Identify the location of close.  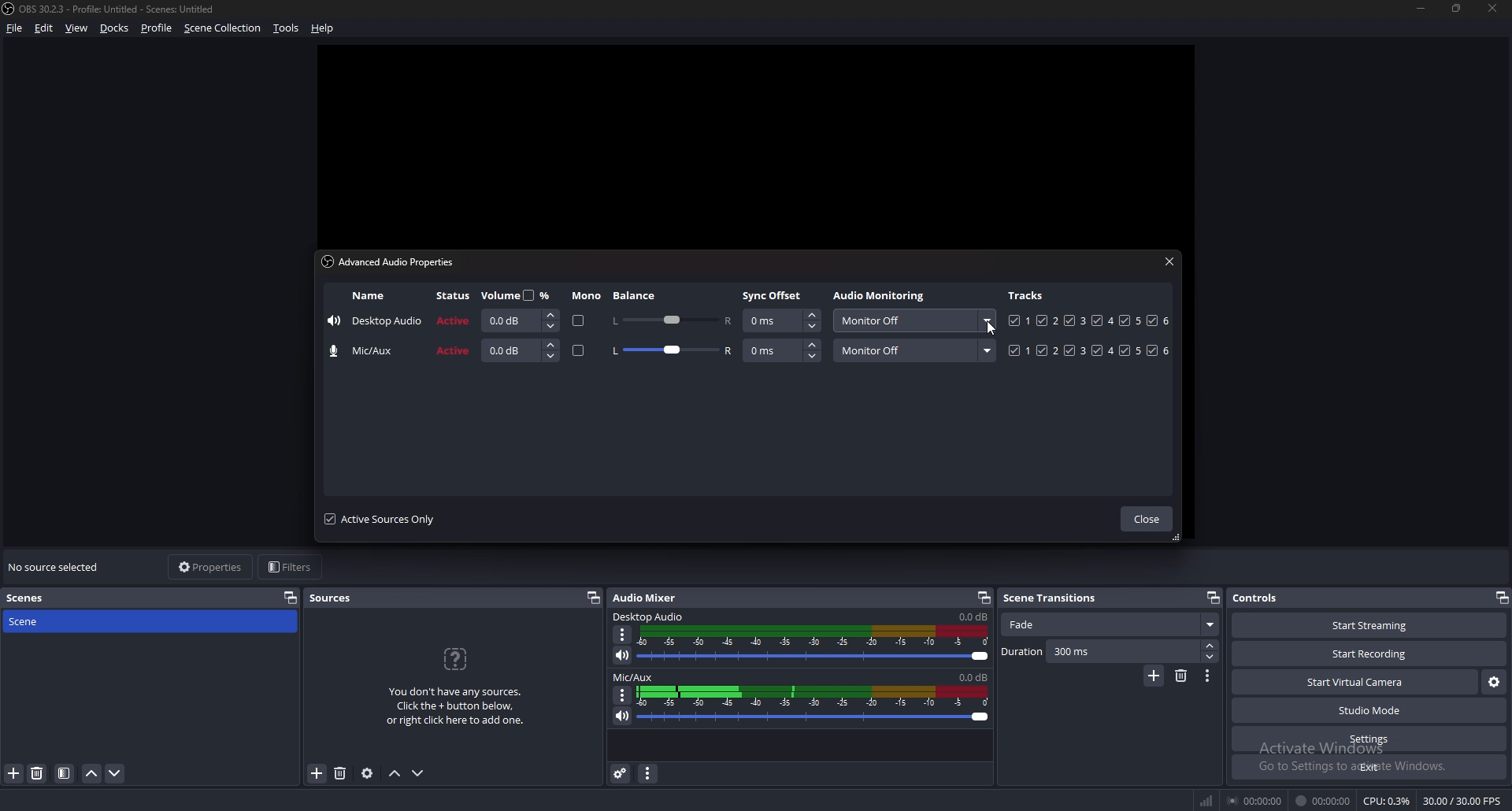
(1146, 520).